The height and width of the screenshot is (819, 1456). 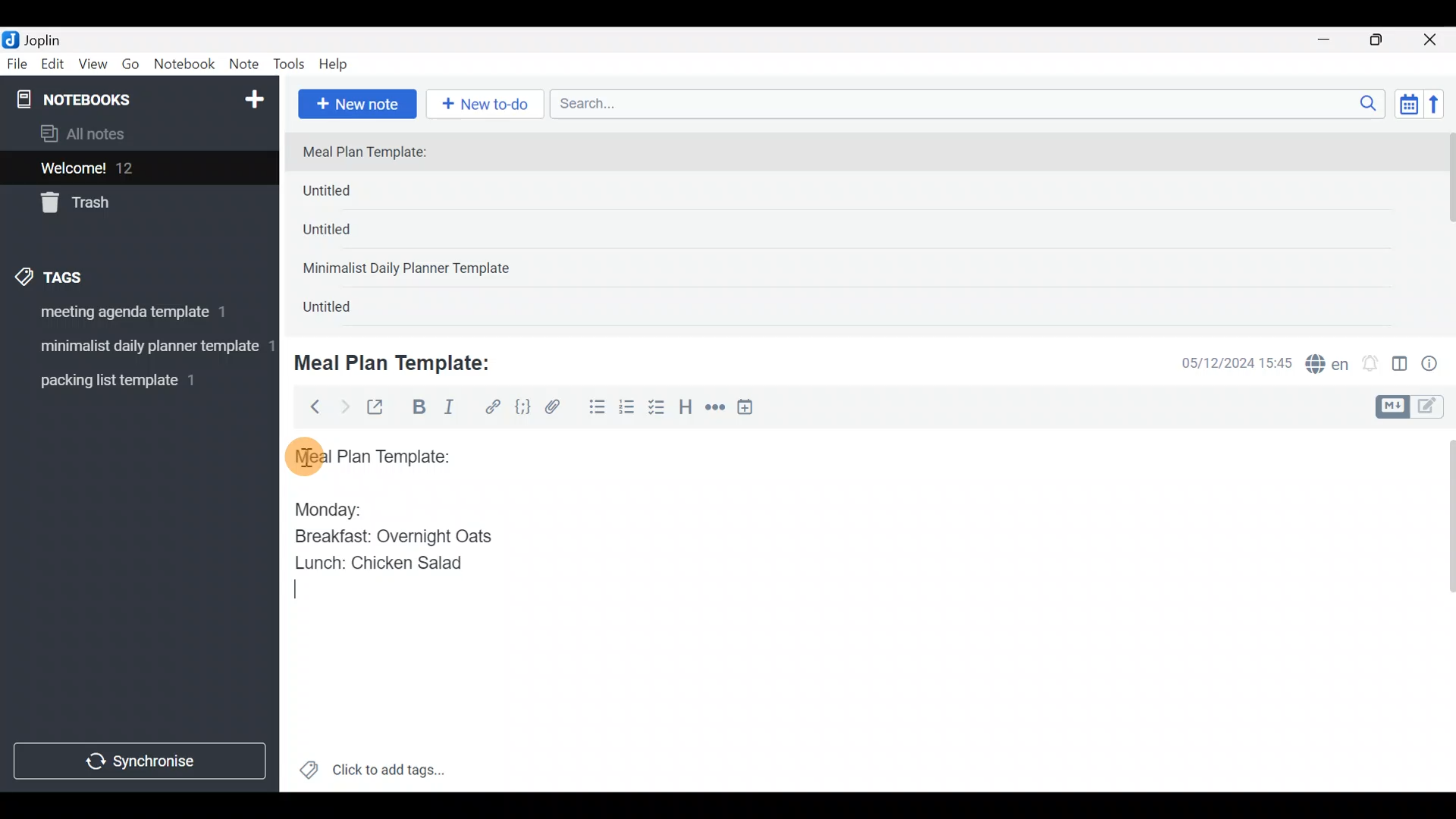 What do you see at coordinates (1440, 610) in the screenshot?
I see `Scroll bar` at bounding box center [1440, 610].